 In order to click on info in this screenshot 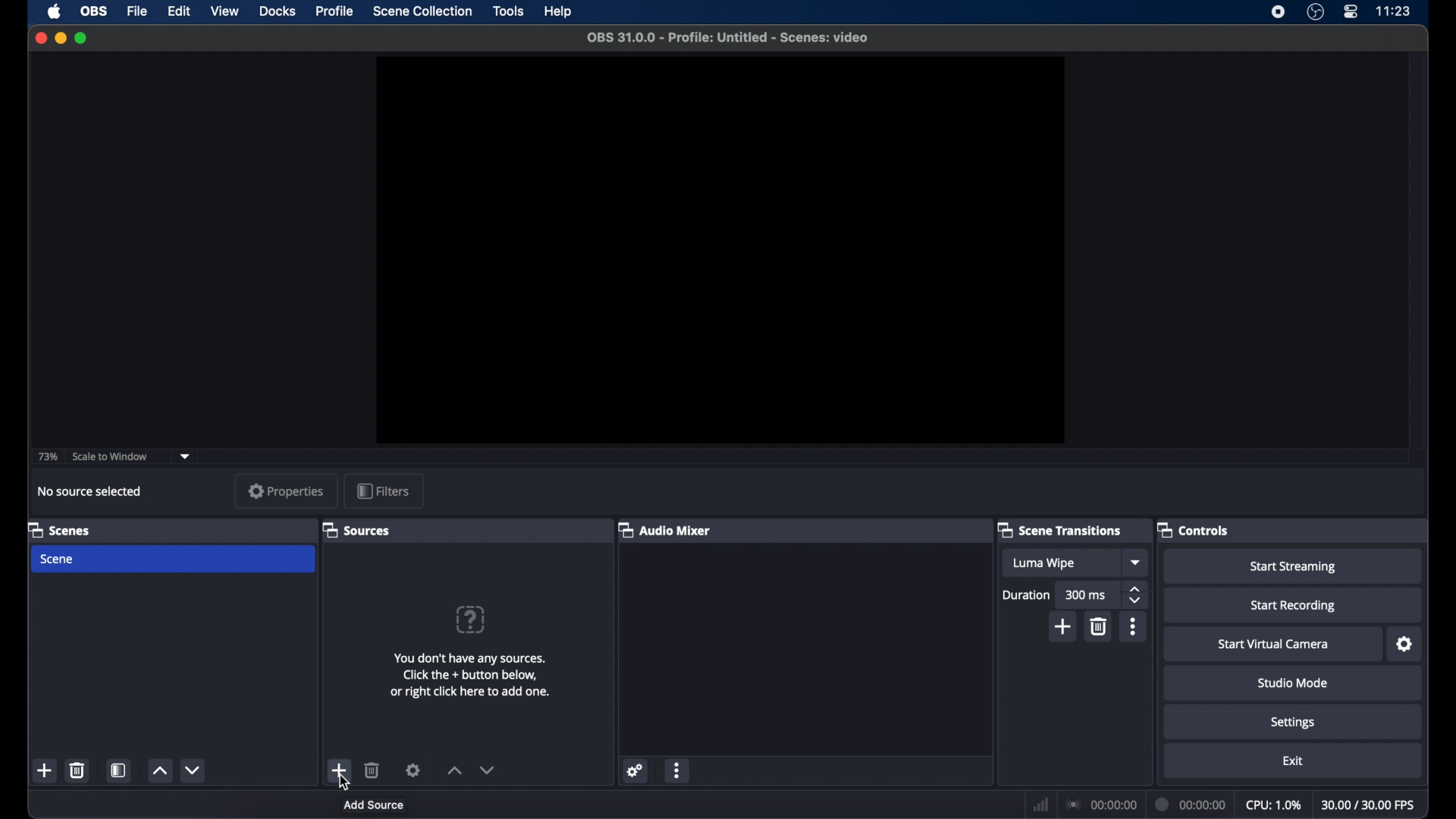, I will do `click(472, 675)`.